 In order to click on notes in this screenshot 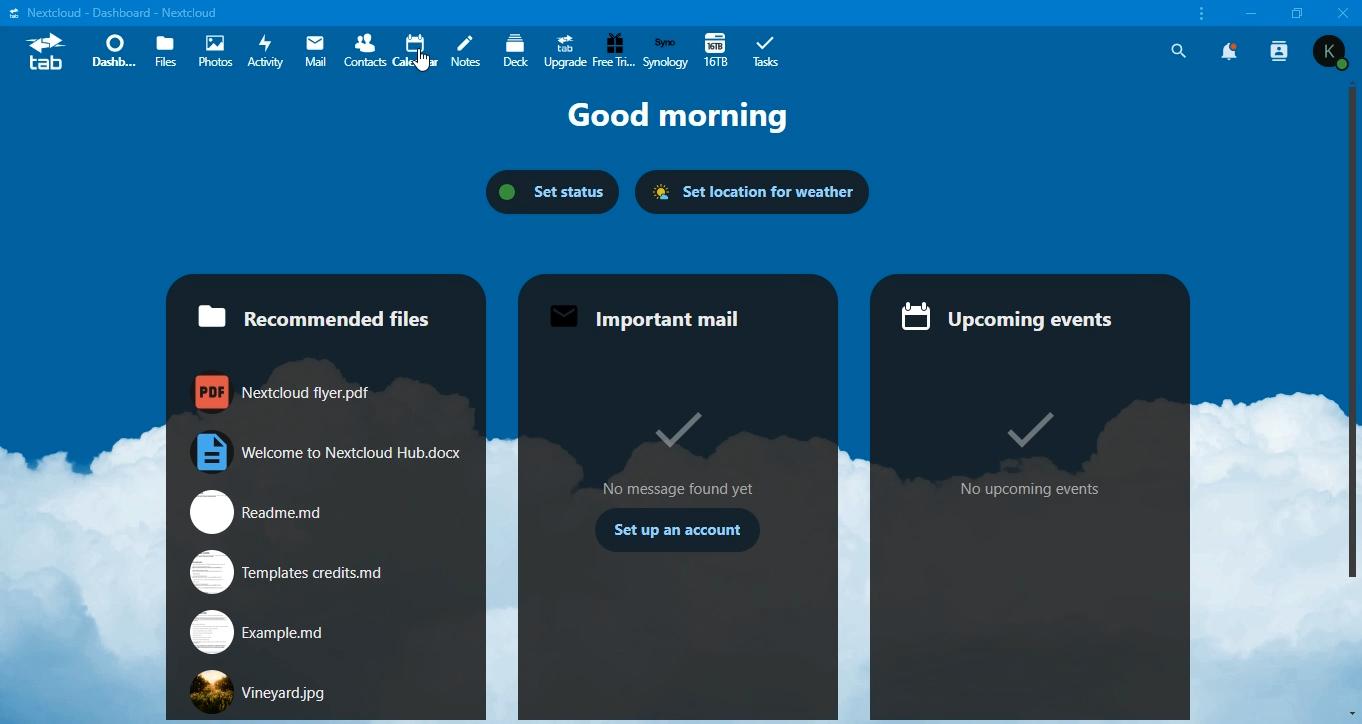, I will do `click(466, 48)`.